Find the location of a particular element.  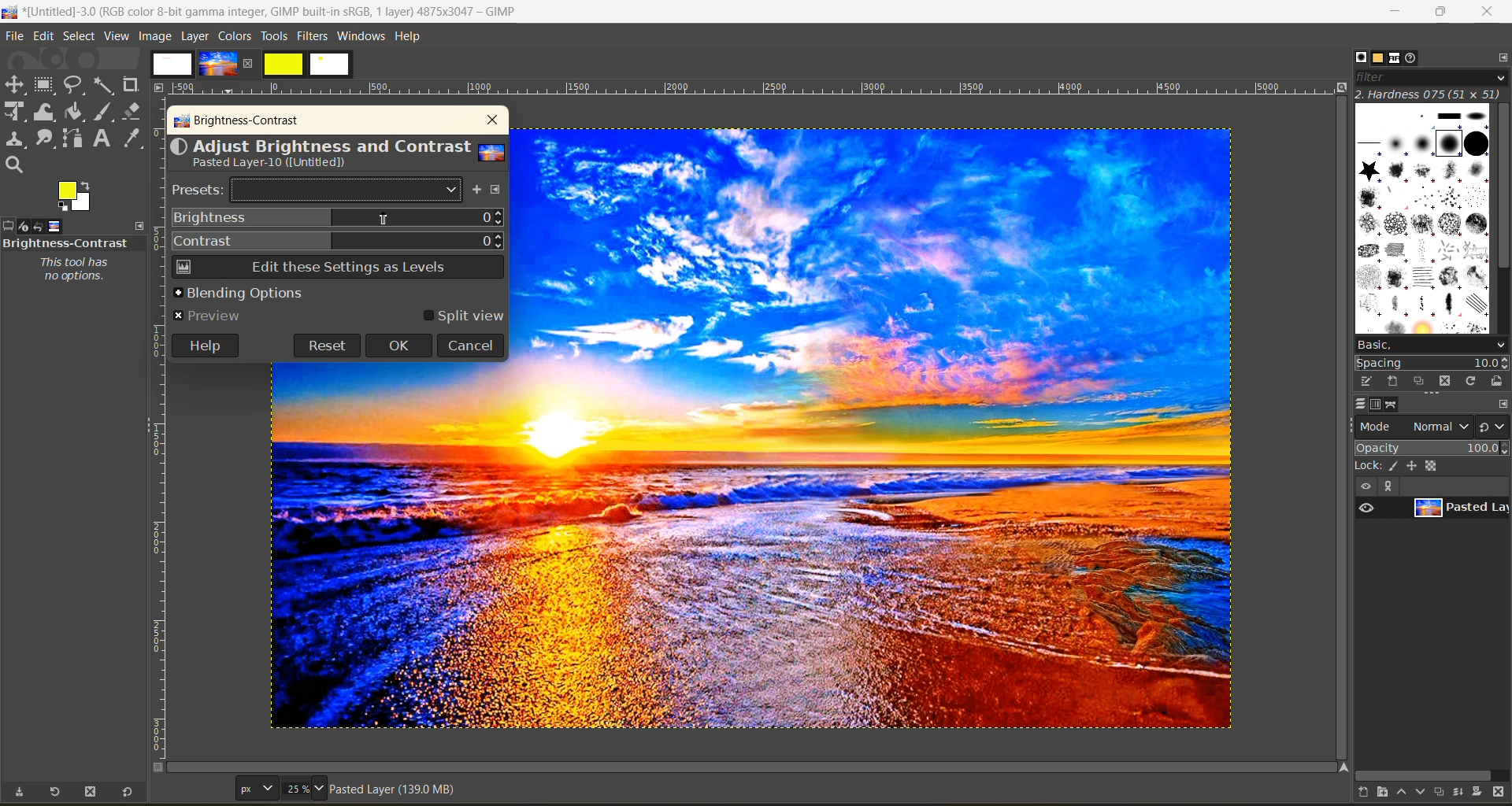

filter is located at coordinates (1432, 77).